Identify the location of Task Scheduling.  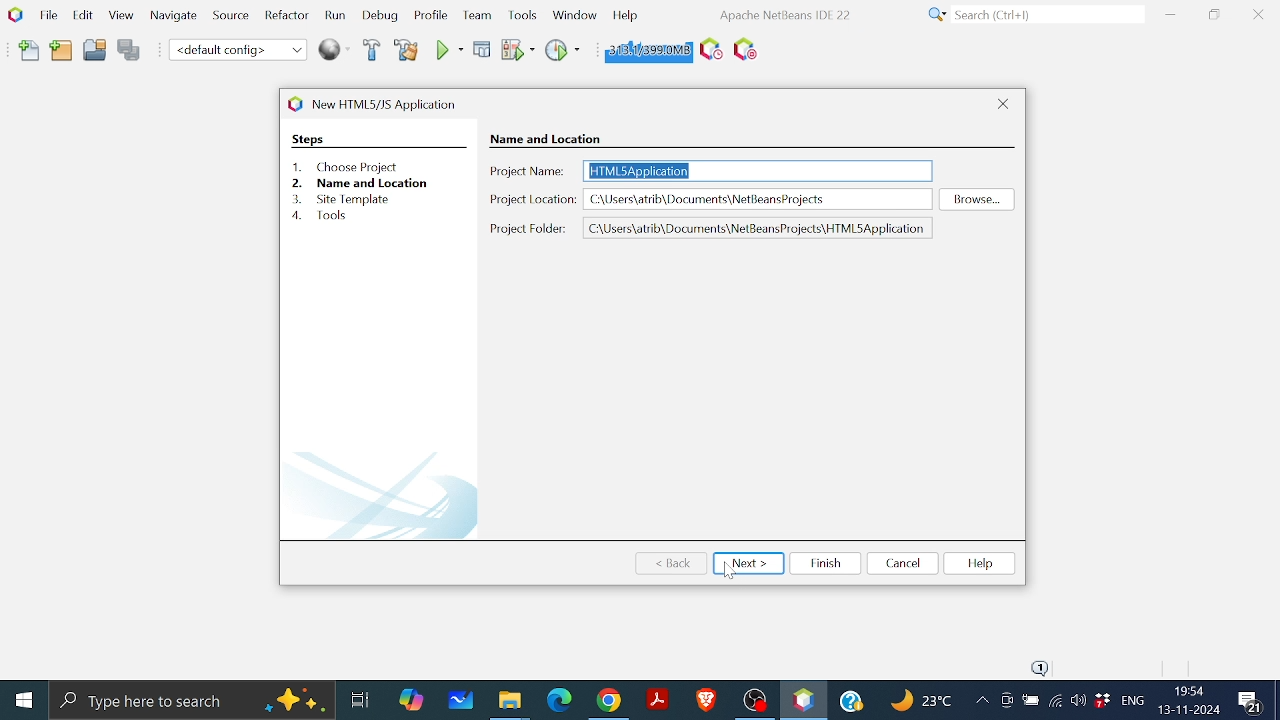
(709, 50).